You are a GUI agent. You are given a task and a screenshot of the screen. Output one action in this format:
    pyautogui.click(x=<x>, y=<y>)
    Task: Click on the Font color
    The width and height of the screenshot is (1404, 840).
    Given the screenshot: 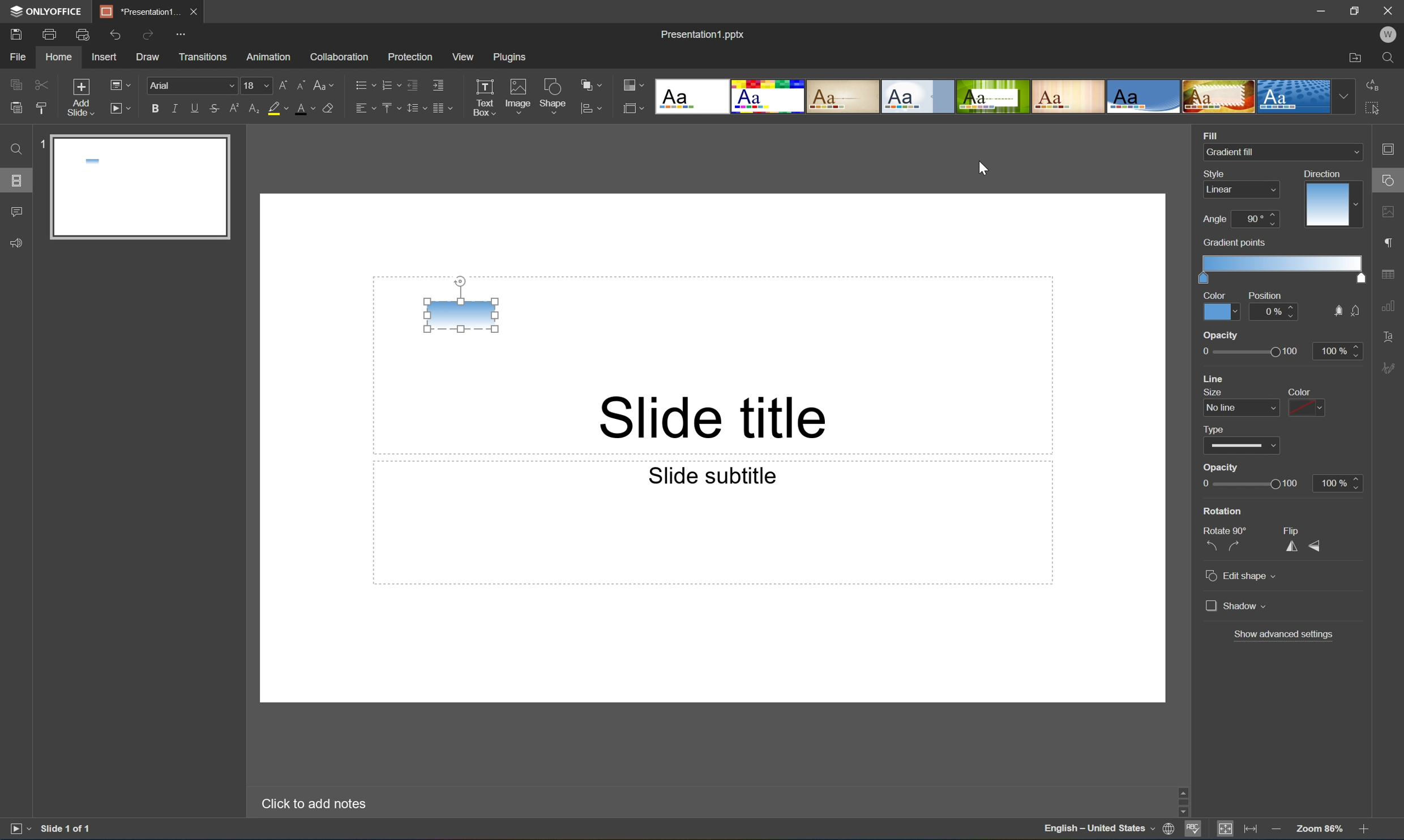 What is the action you would take?
    pyautogui.click(x=303, y=108)
    